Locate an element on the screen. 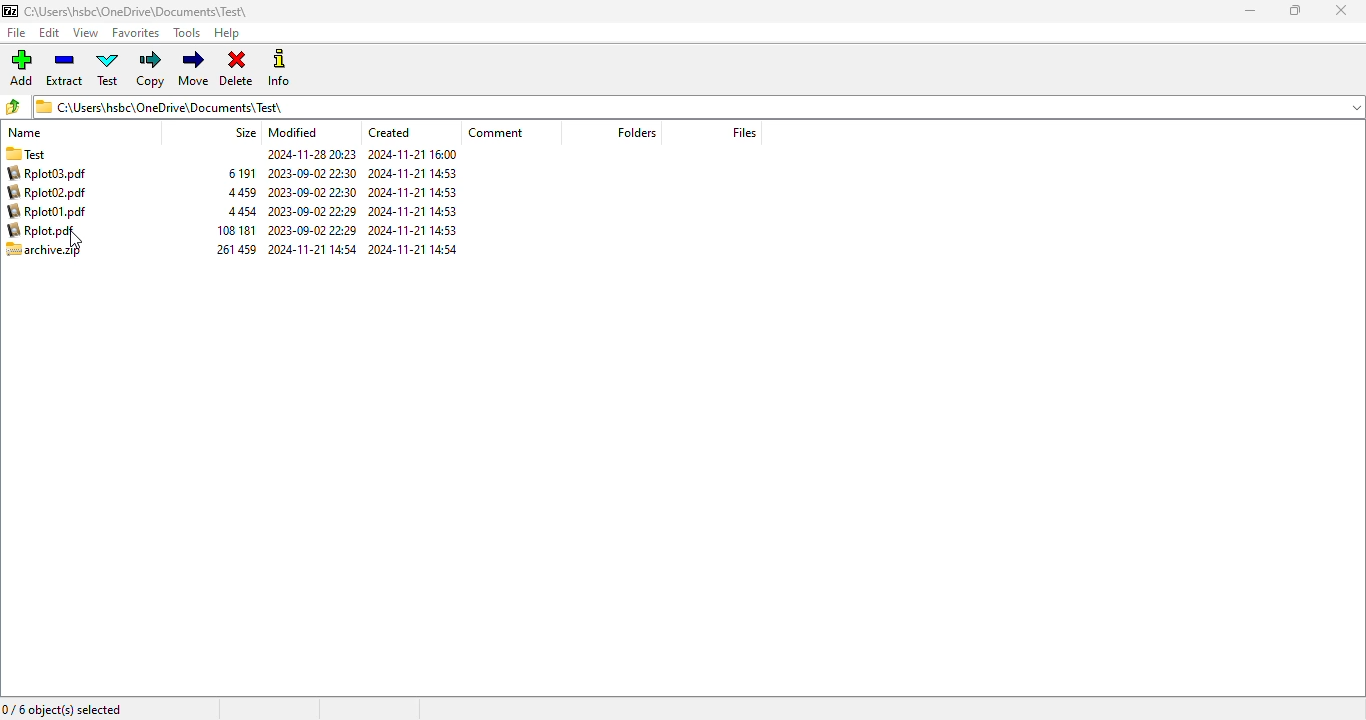  0/6 object(s) selected is located at coordinates (63, 708).